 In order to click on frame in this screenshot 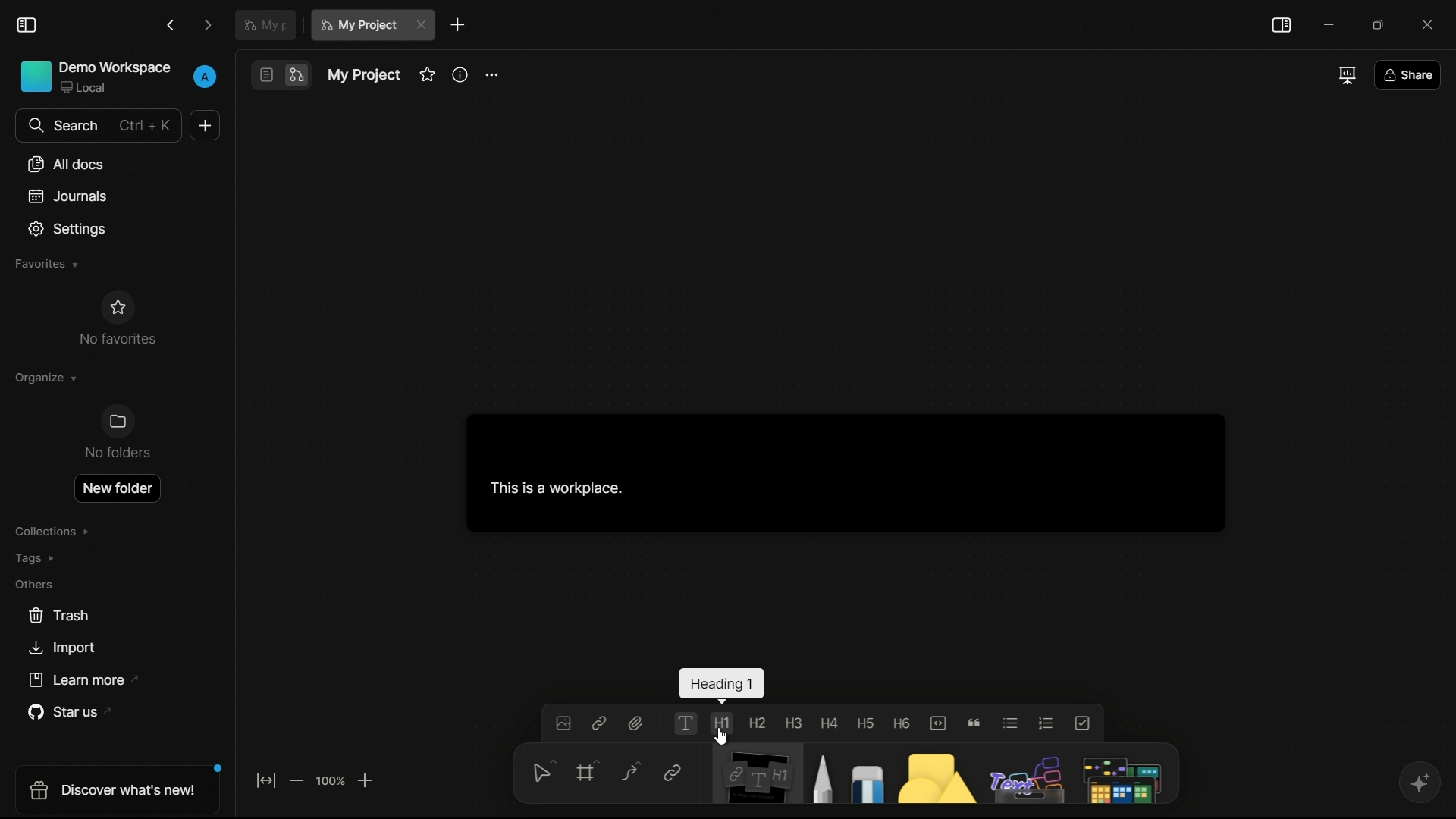, I will do `click(584, 775)`.